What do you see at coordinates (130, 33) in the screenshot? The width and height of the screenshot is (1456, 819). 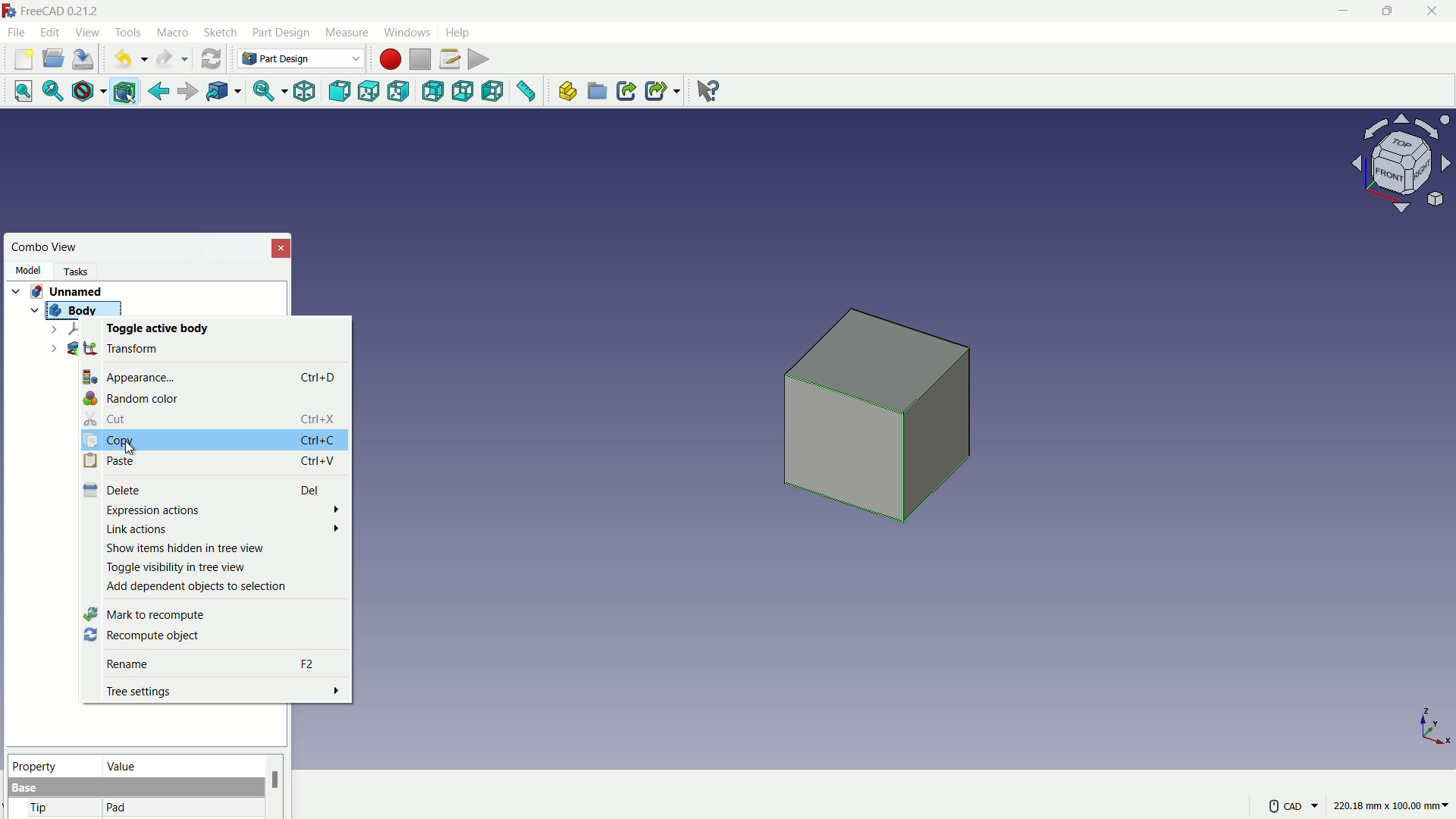 I see `tools` at bounding box center [130, 33].